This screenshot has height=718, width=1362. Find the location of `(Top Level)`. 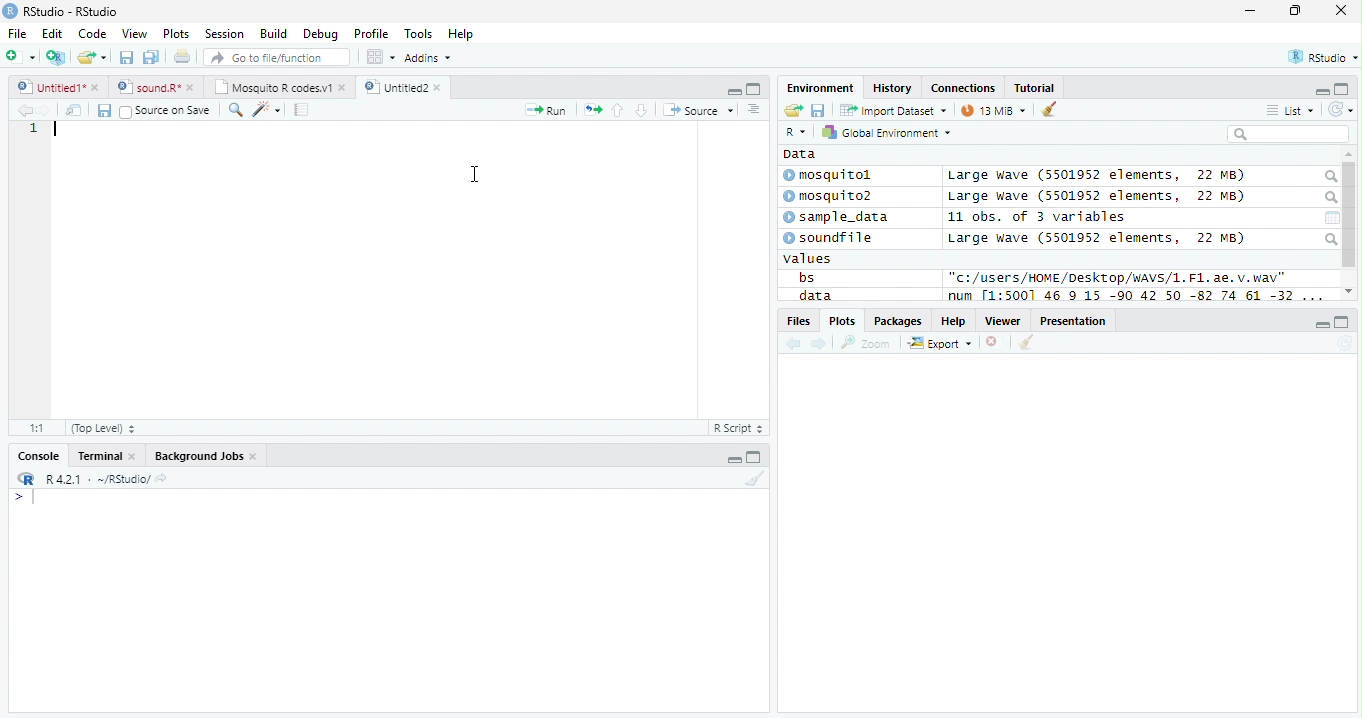

(Top Level) is located at coordinates (103, 429).